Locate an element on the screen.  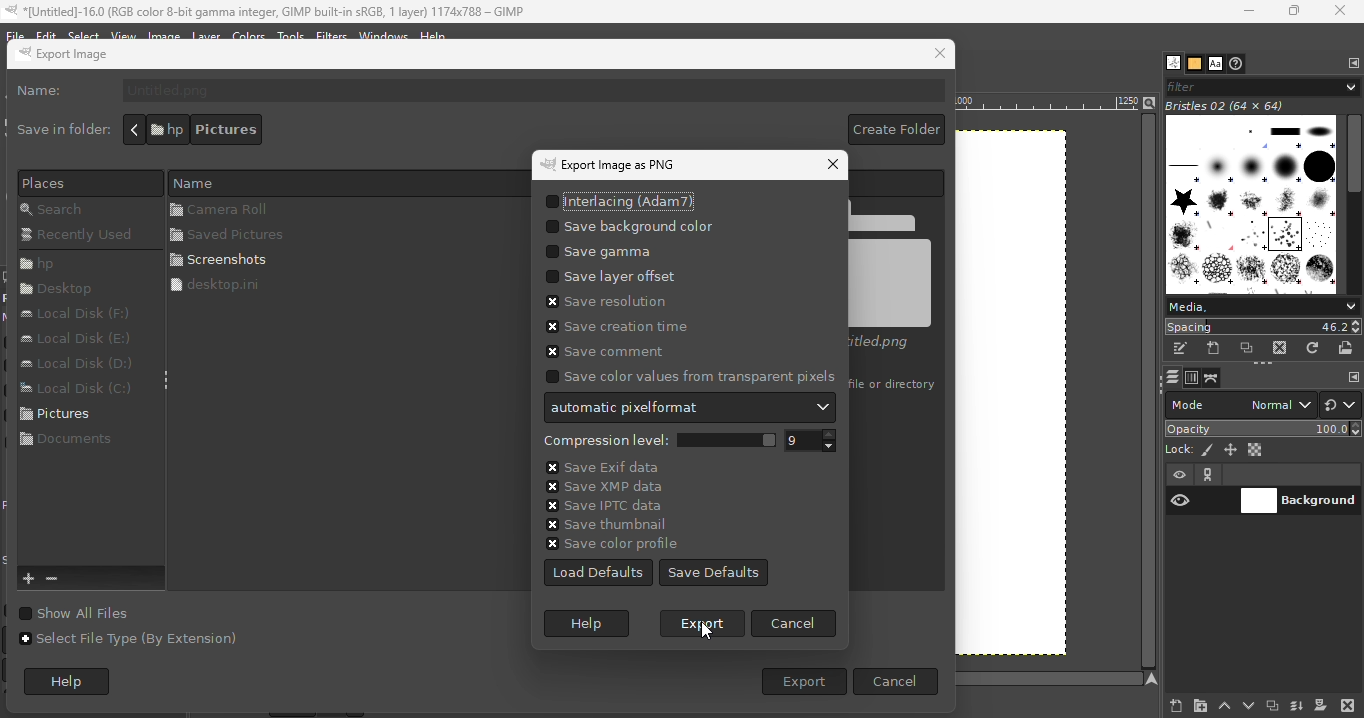
Lock alpha channel is located at coordinates (1257, 450).